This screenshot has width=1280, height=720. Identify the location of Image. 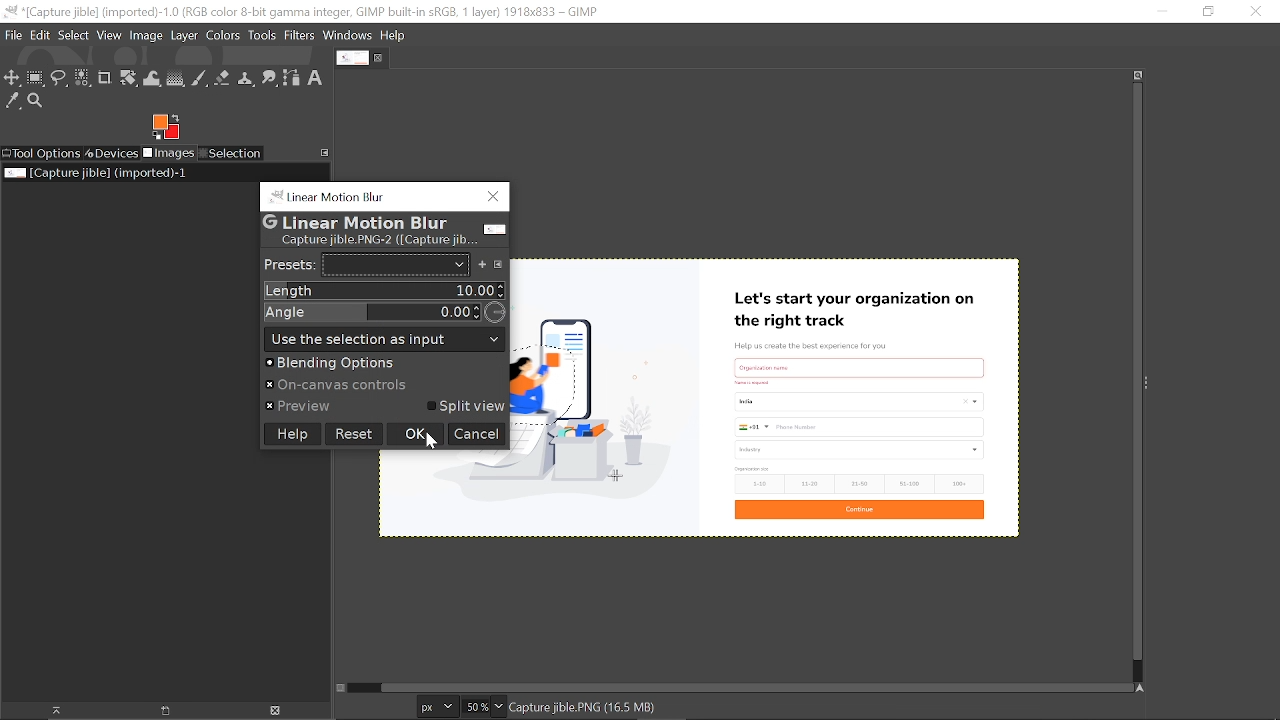
(146, 34).